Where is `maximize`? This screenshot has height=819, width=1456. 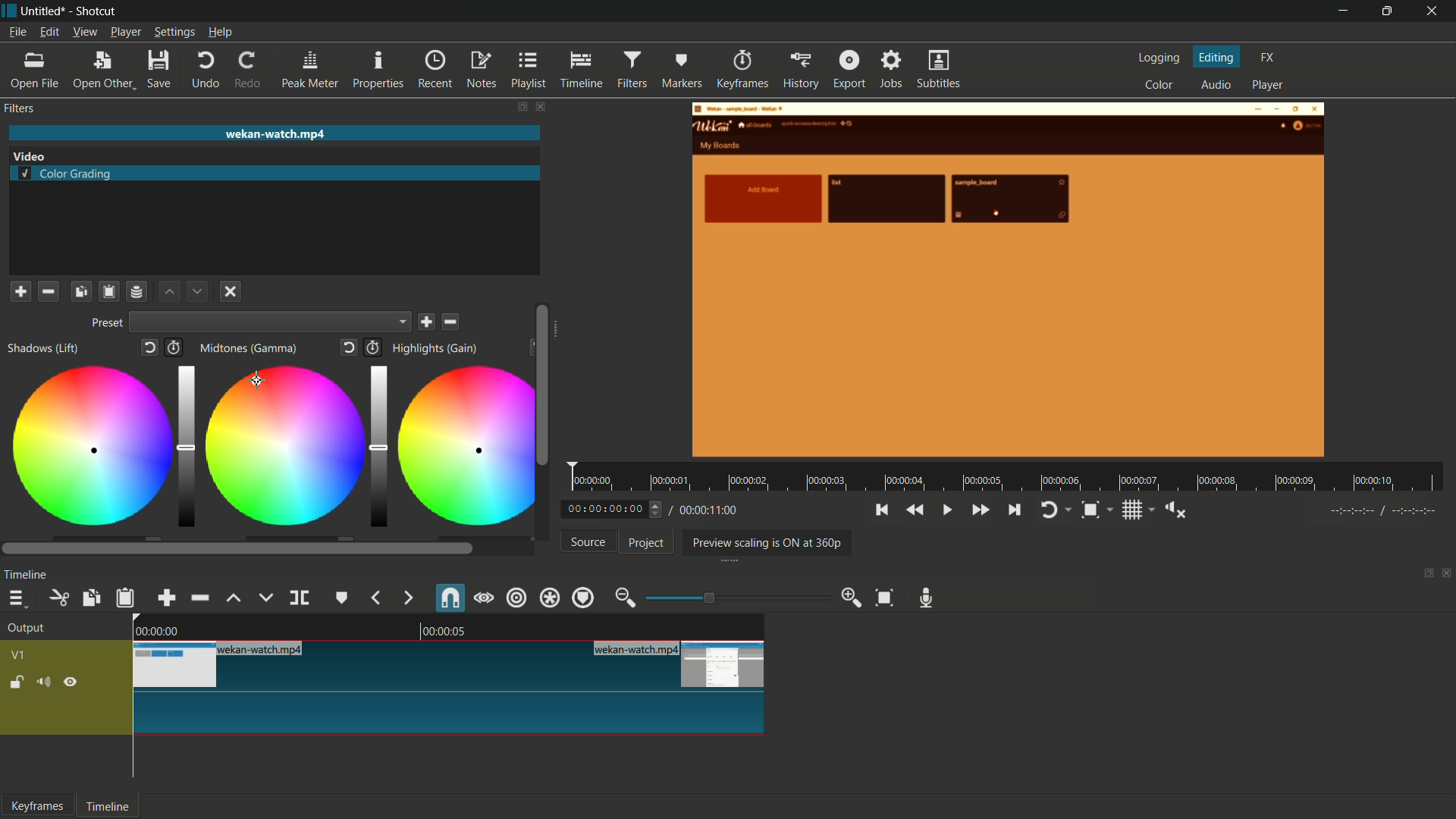
maximize is located at coordinates (1389, 11).